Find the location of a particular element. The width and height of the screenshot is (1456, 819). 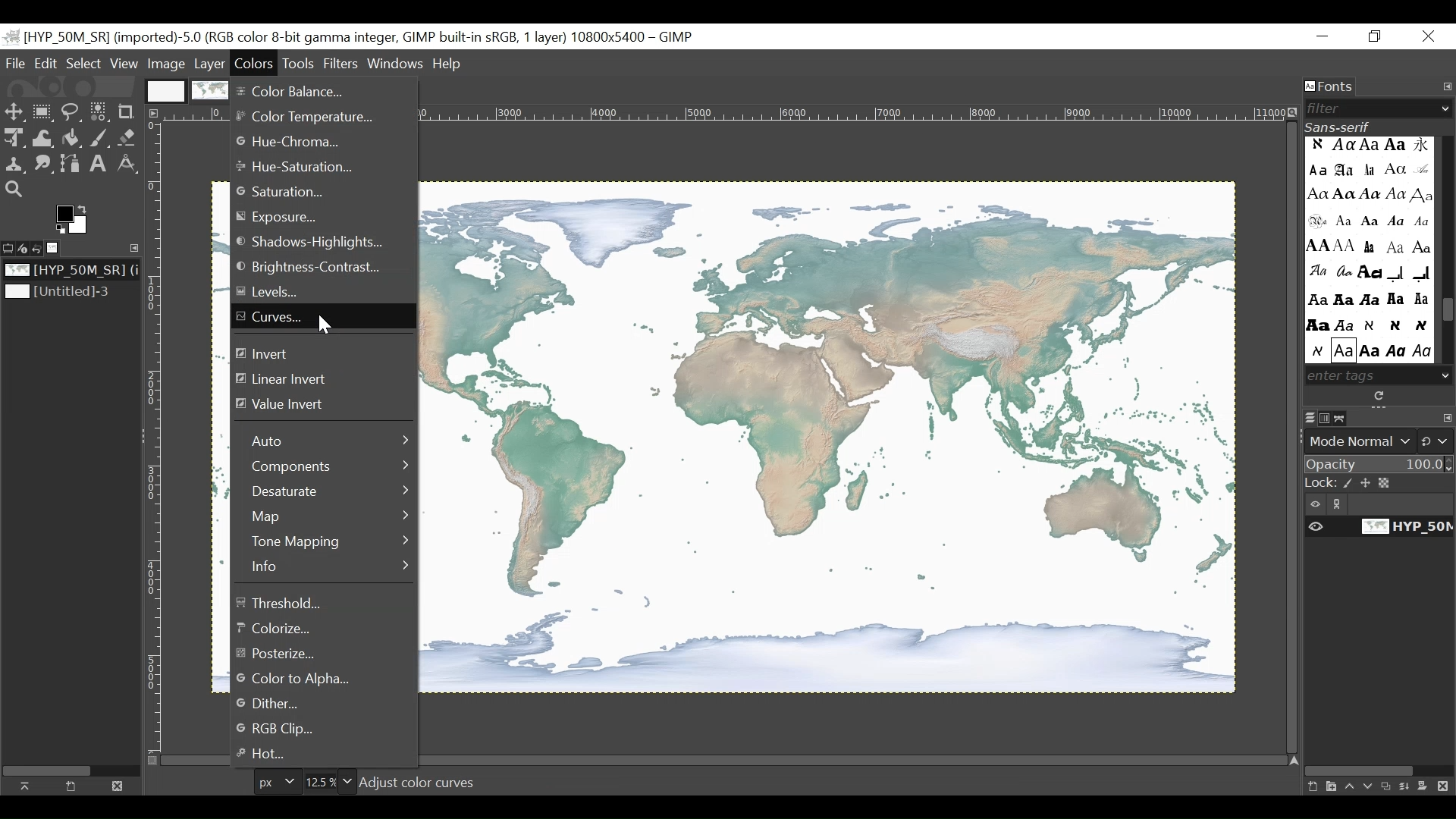

Color Balance is located at coordinates (315, 91).